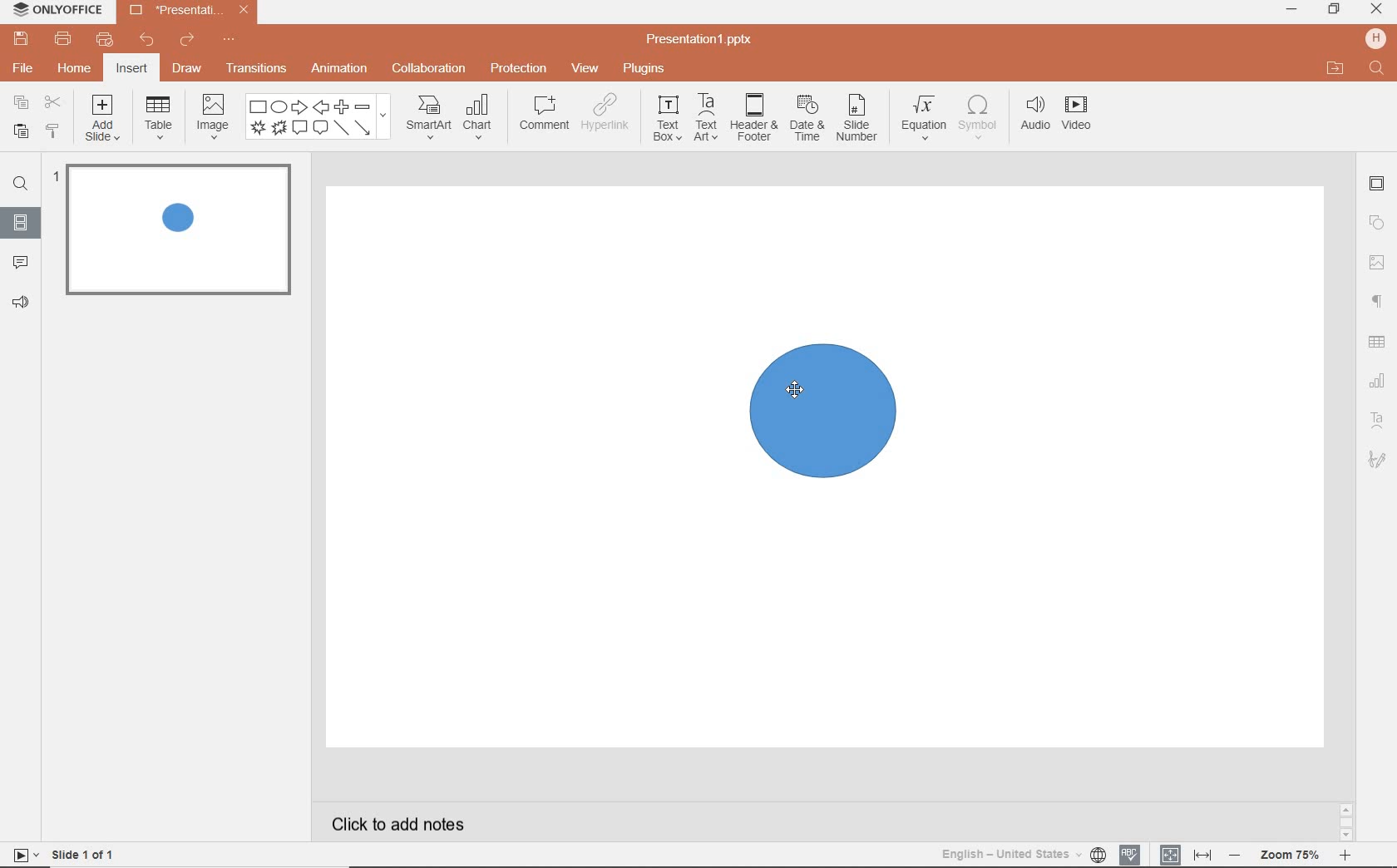 Image resolution: width=1397 pixels, height=868 pixels. What do you see at coordinates (176, 229) in the screenshot?
I see `slide` at bounding box center [176, 229].